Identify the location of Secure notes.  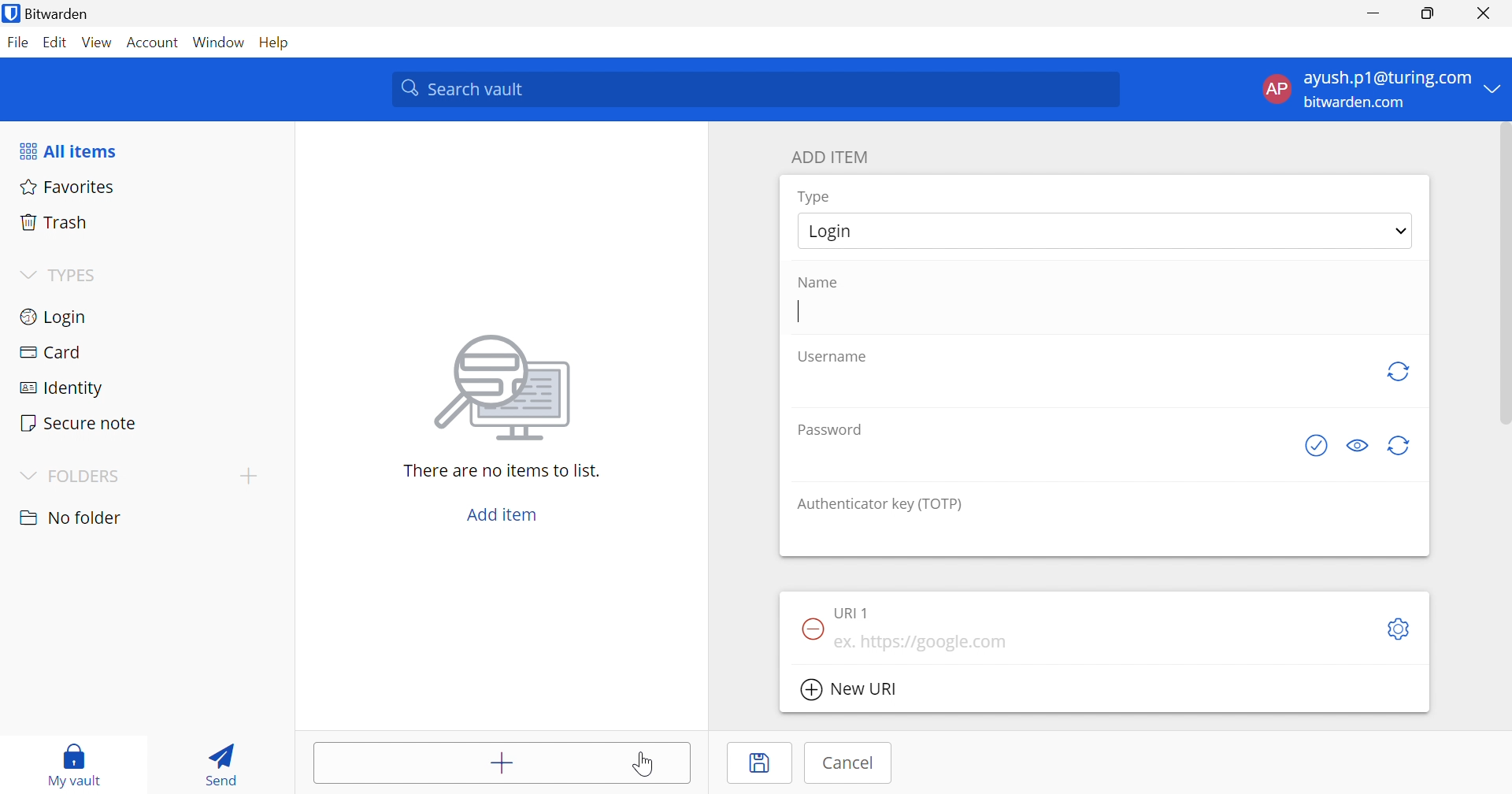
(80, 423).